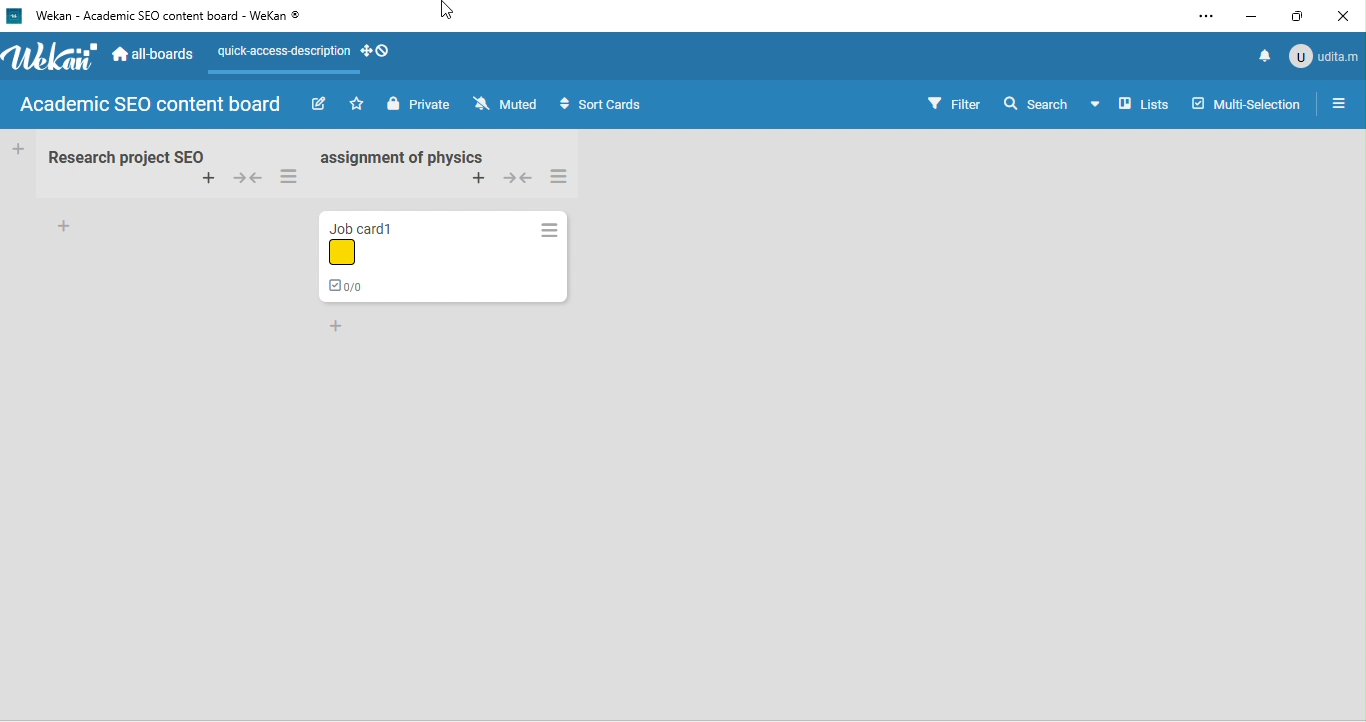 The image size is (1366, 722). Describe the element at coordinates (1258, 15) in the screenshot. I see `minimize` at that location.